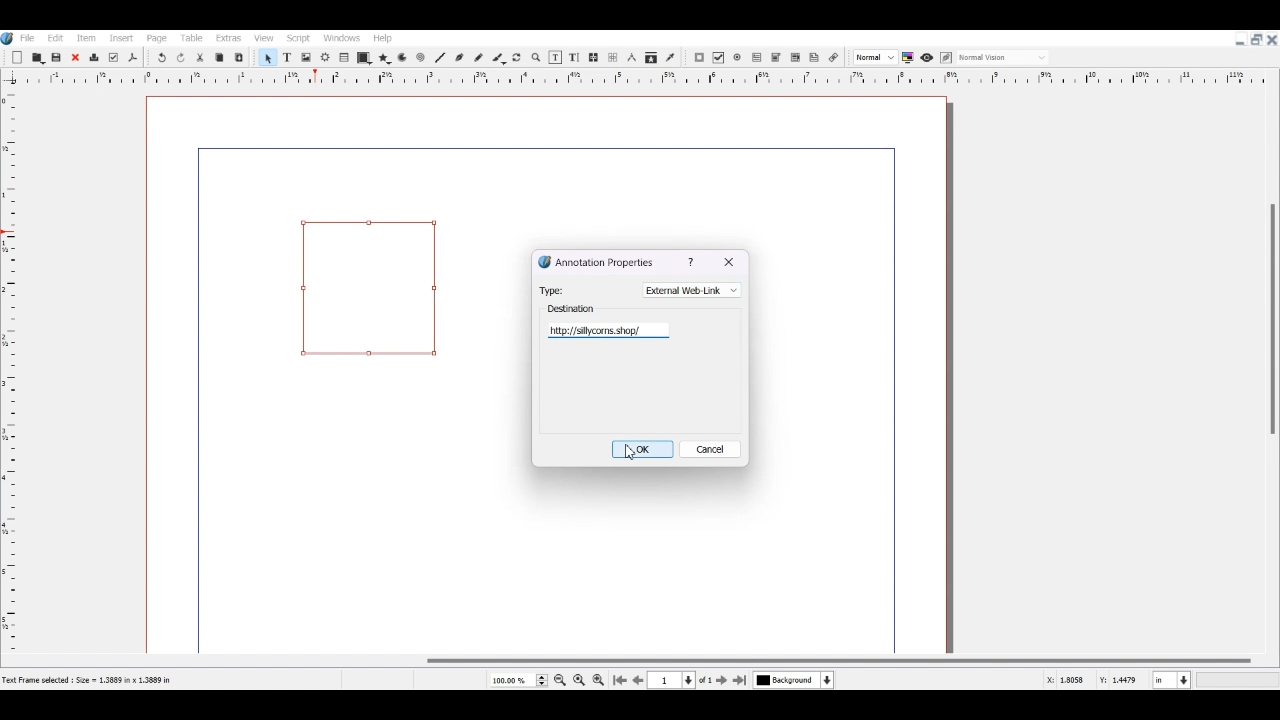  Describe the element at coordinates (598, 679) in the screenshot. I see `Zoom in` at that location.